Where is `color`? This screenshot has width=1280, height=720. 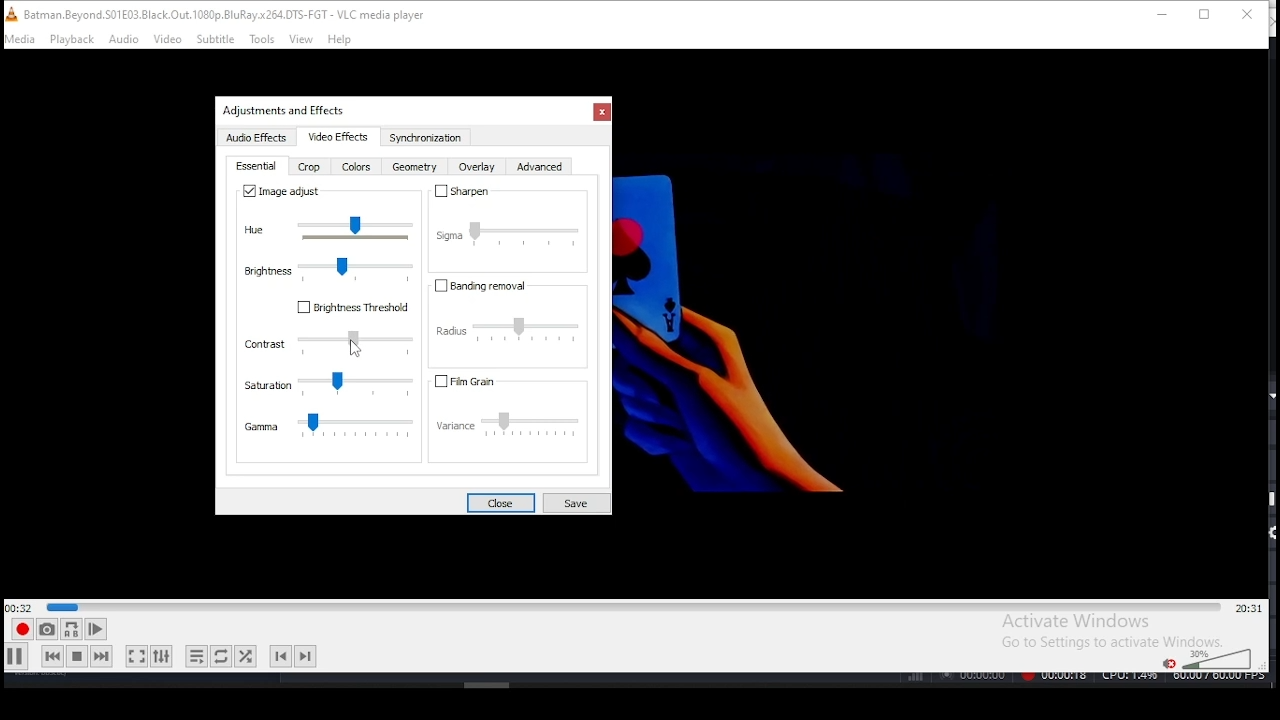 color is located at coordinates (356, 168).